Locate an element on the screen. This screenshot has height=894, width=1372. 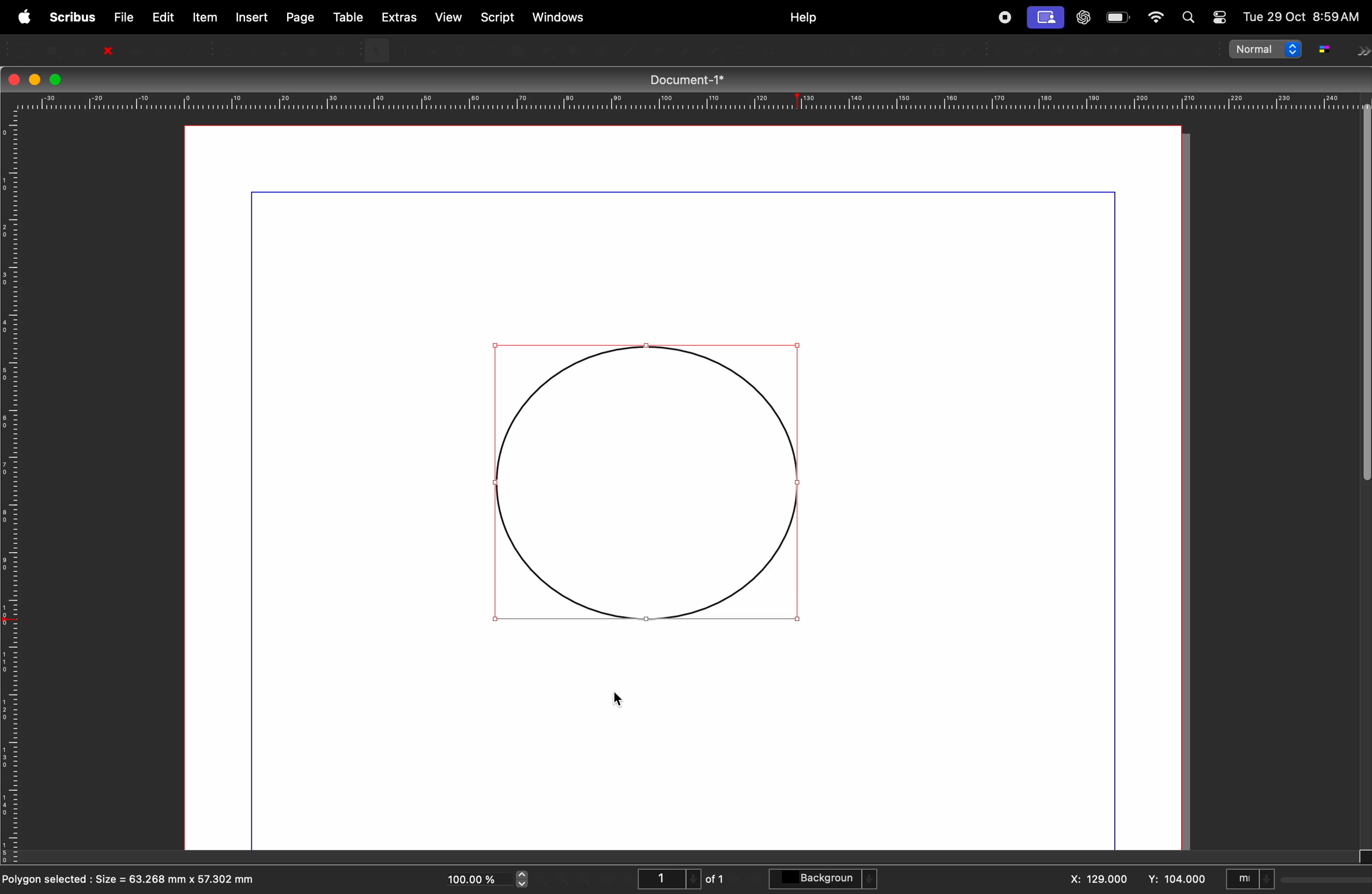
verticle sidebar is located at coordinates (1359, 316).